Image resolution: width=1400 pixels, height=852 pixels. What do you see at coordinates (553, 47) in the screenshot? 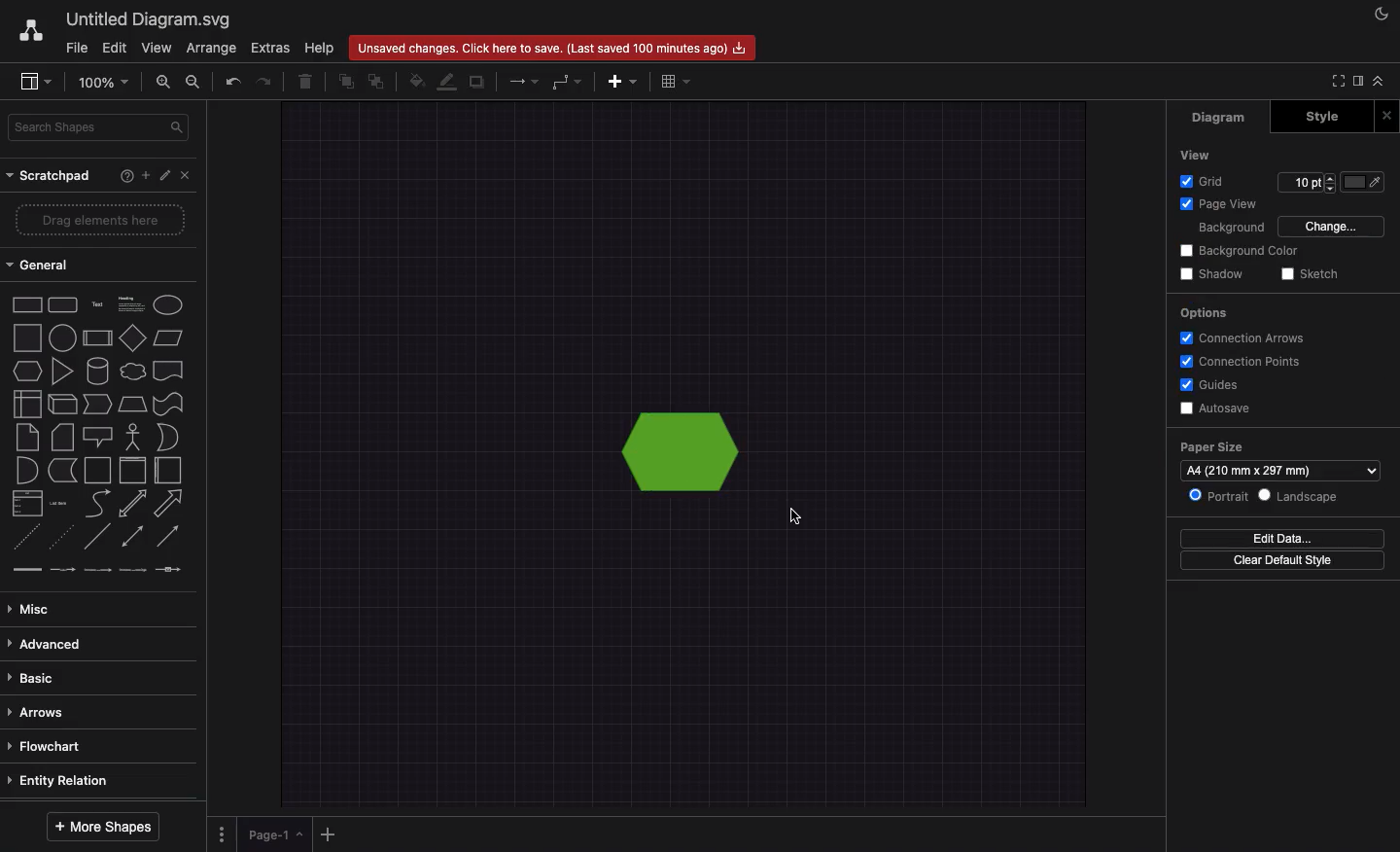
I see `Unsaved changes. Click here to save.` at bounding box center [553, 47].